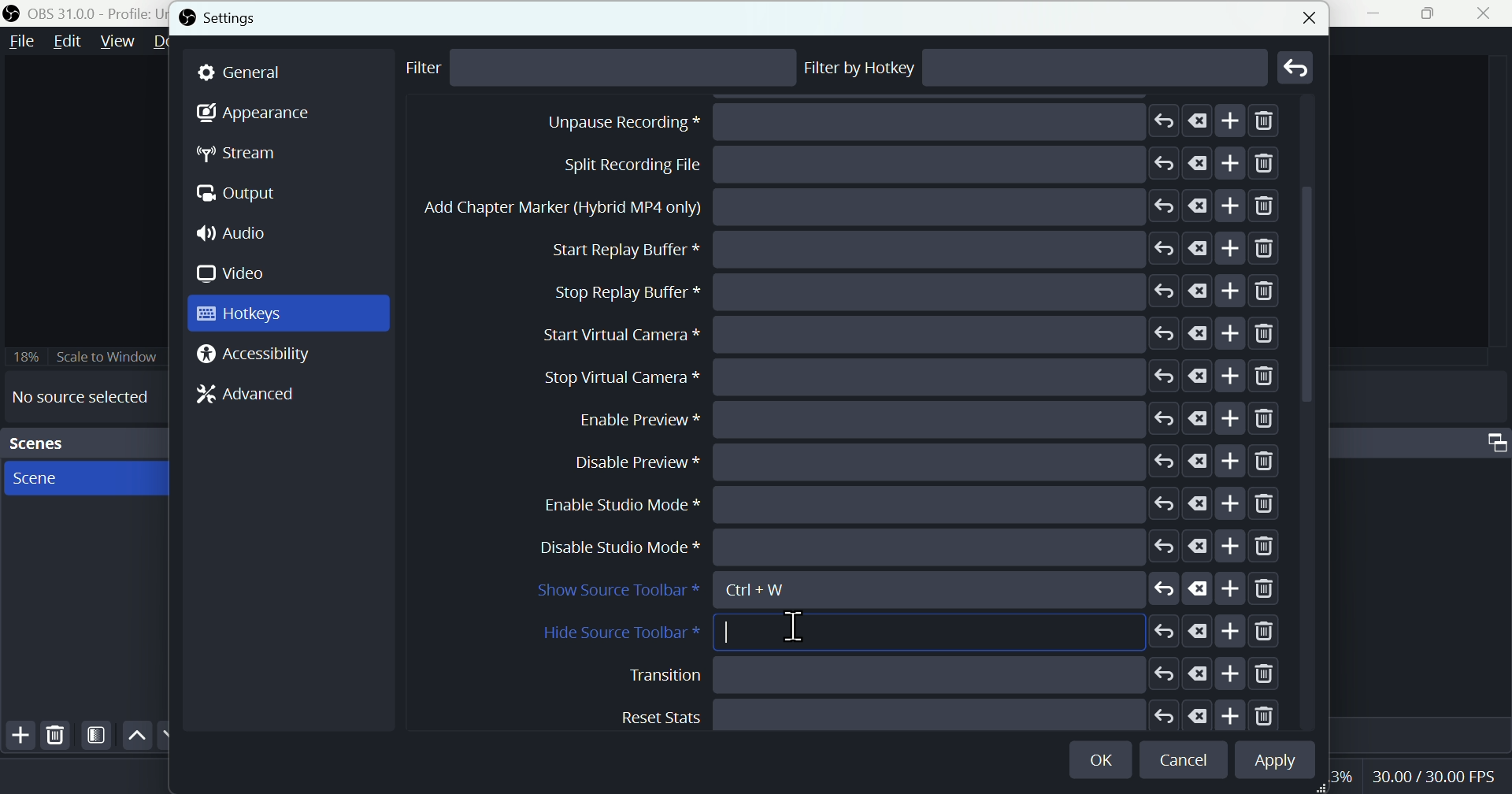 The height and width of the screenshot is (794, 1512). I want to click on stop Virtual camera, so click(906, 547).